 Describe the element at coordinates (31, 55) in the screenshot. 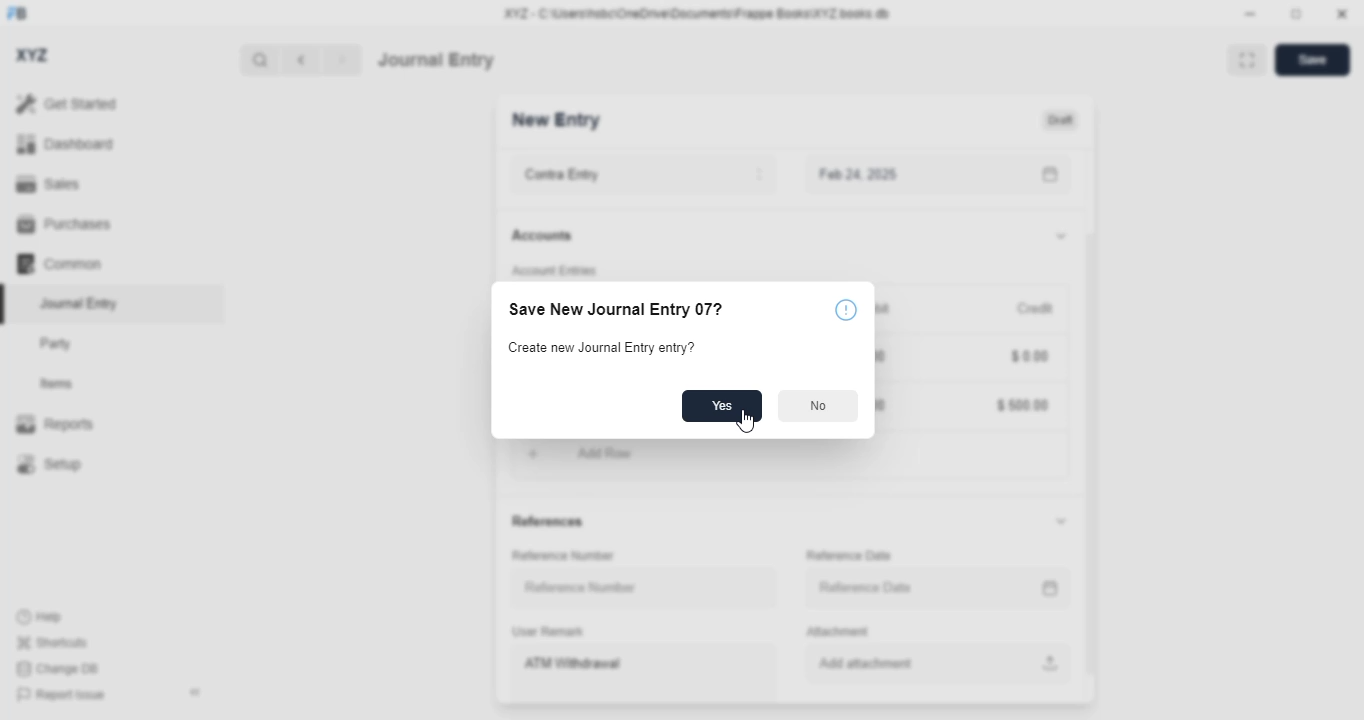

I see `XYZ` at that location.